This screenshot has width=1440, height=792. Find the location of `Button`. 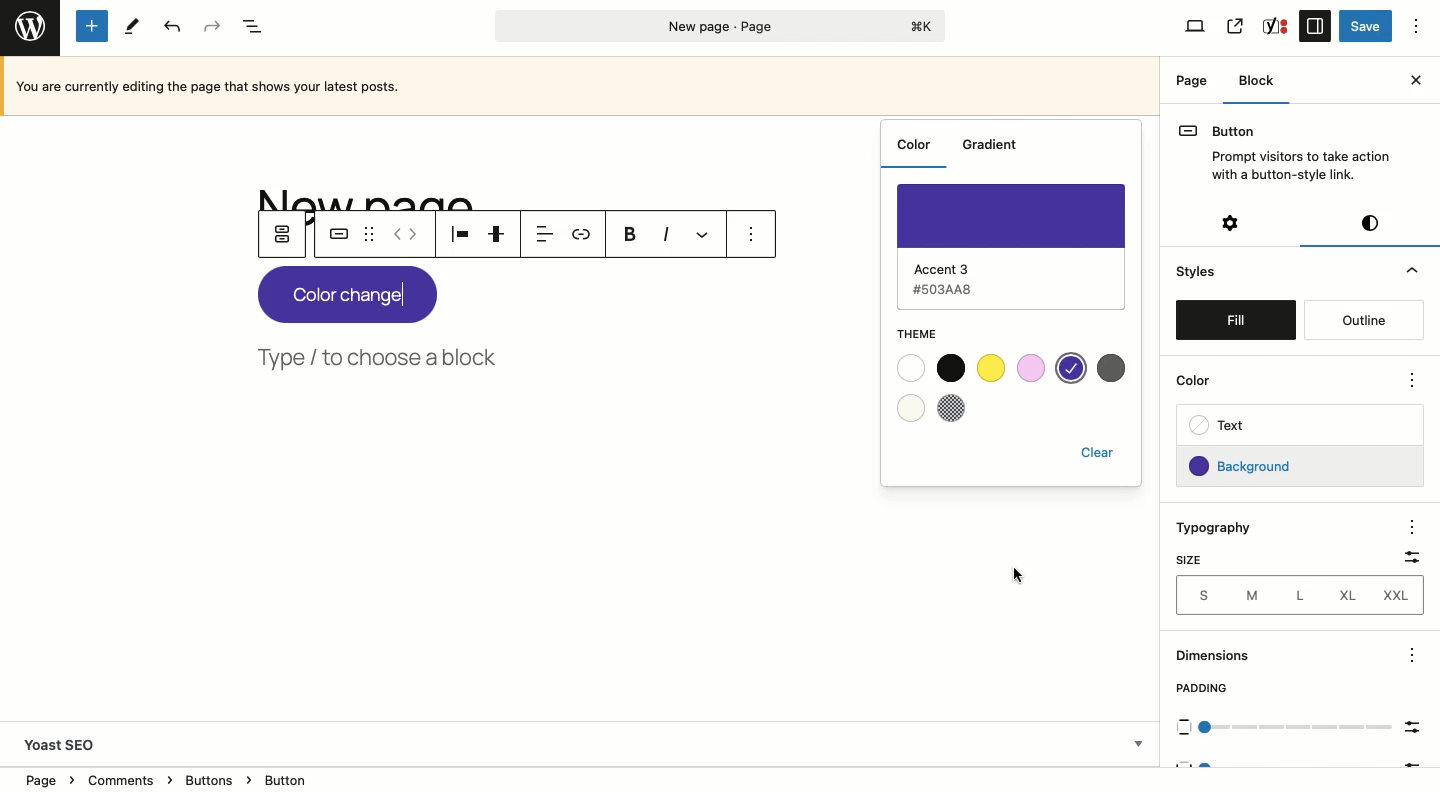

Button is located at coordinates (1284, 148).